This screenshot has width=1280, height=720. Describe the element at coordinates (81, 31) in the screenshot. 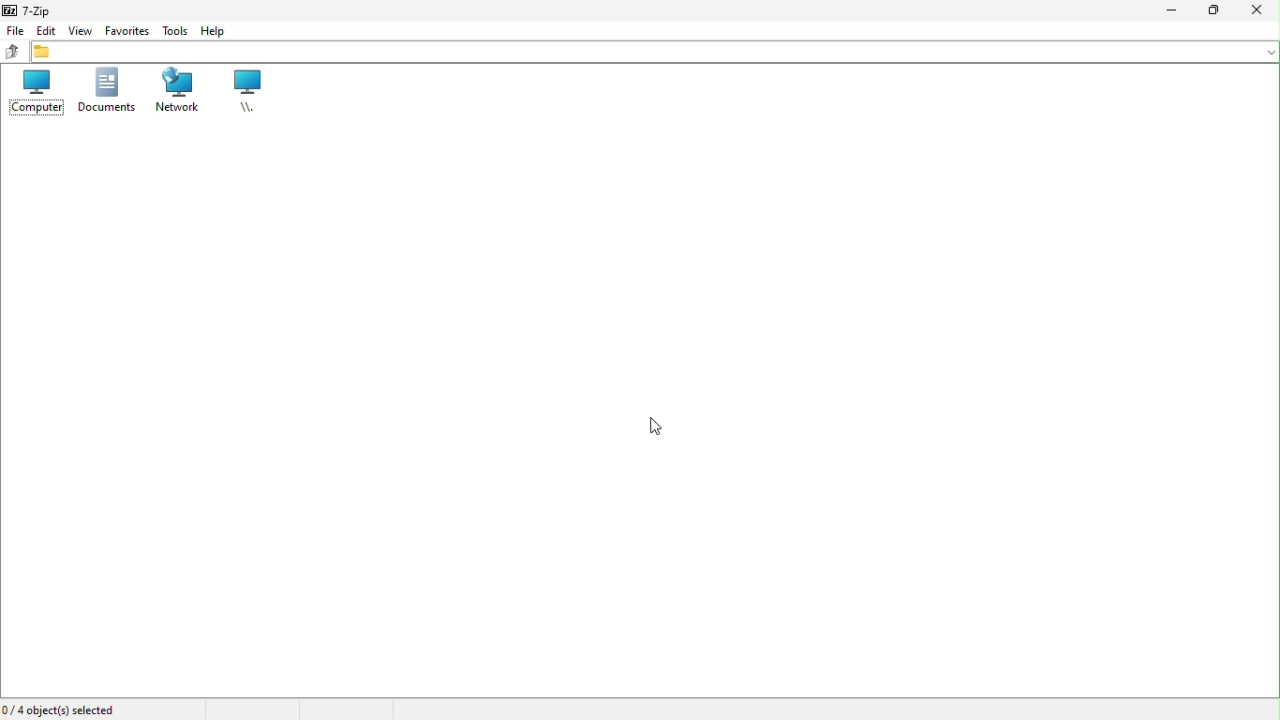

I see `Edit ` at that location.